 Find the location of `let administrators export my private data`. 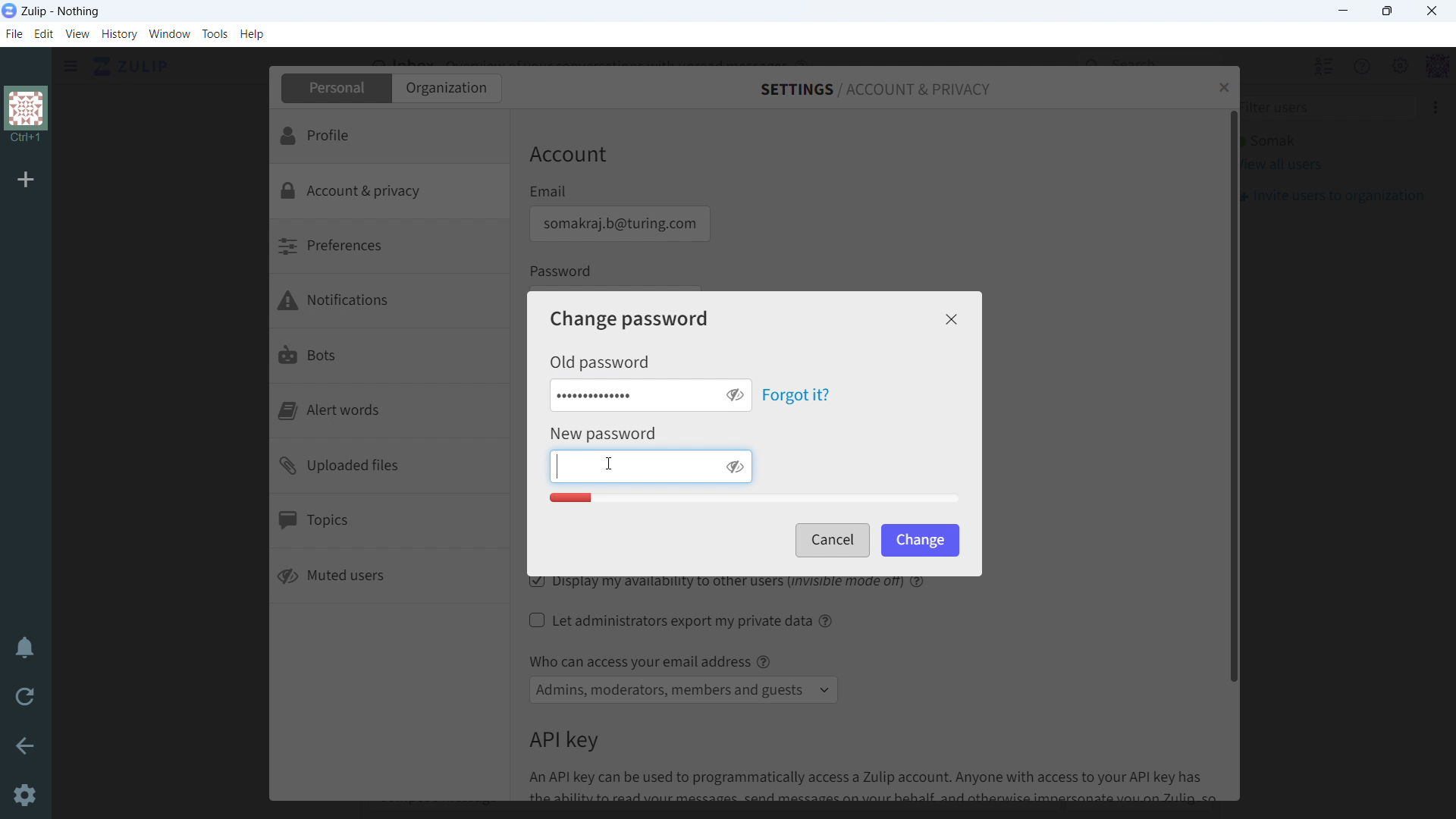

let administrators export my private data is located at coordinates (670, 620).